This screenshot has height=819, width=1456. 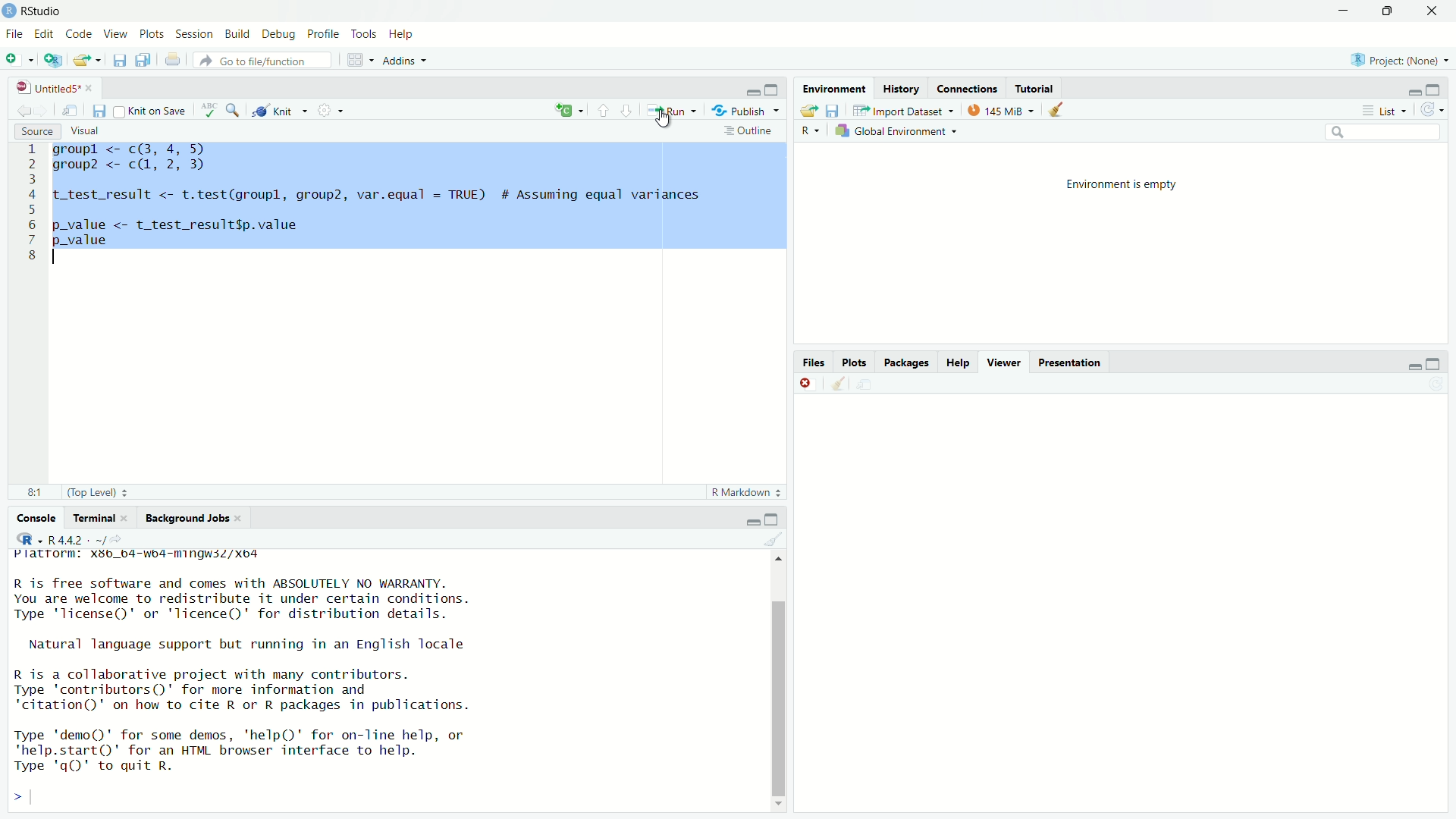 What do you see at coordinates (93, 492) in the screenshot?
I see `(Top Level) =` at bounding box center [93, 492].